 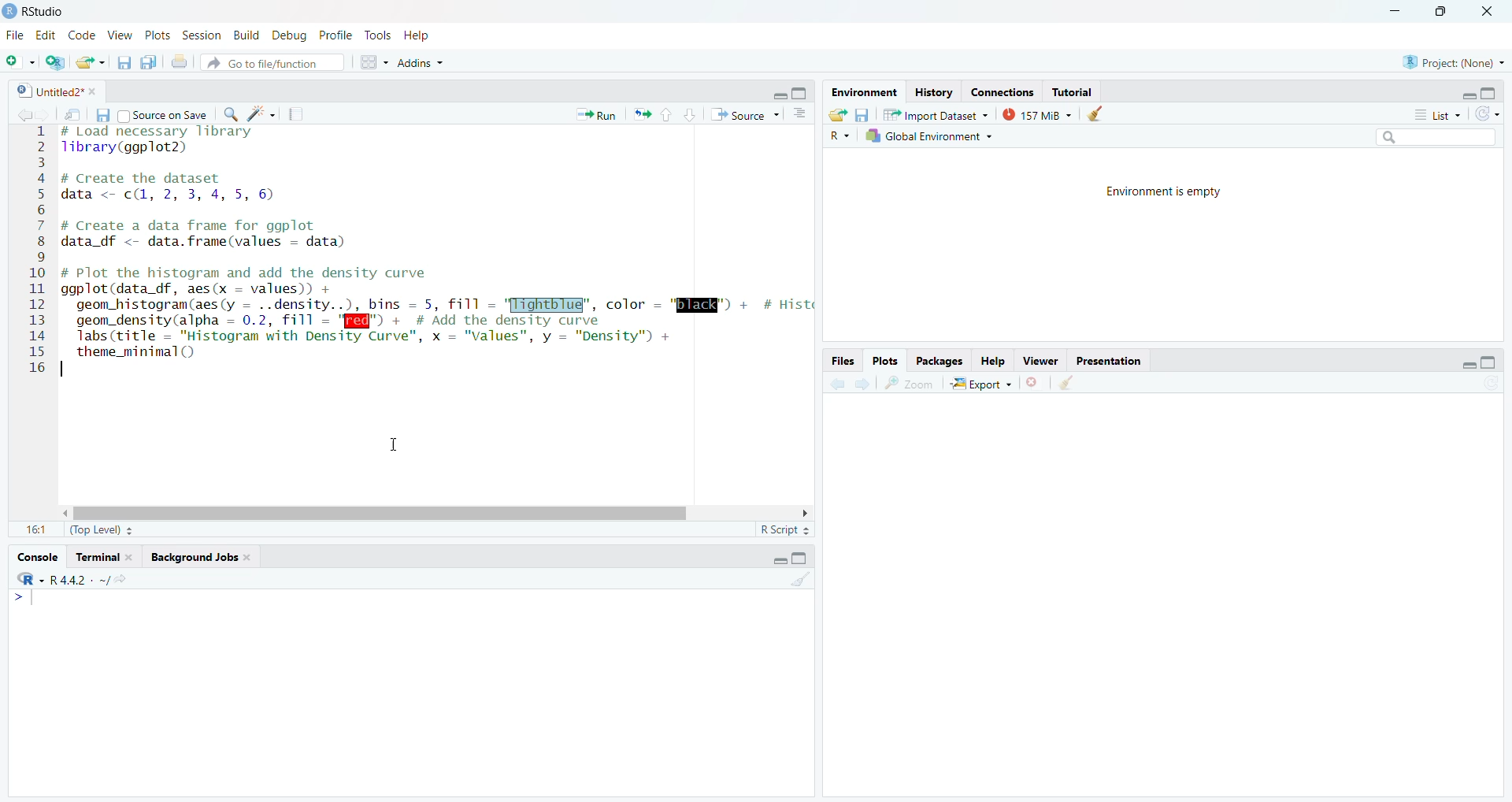 I want to click on open an existing file, so click(x=87, y=64).